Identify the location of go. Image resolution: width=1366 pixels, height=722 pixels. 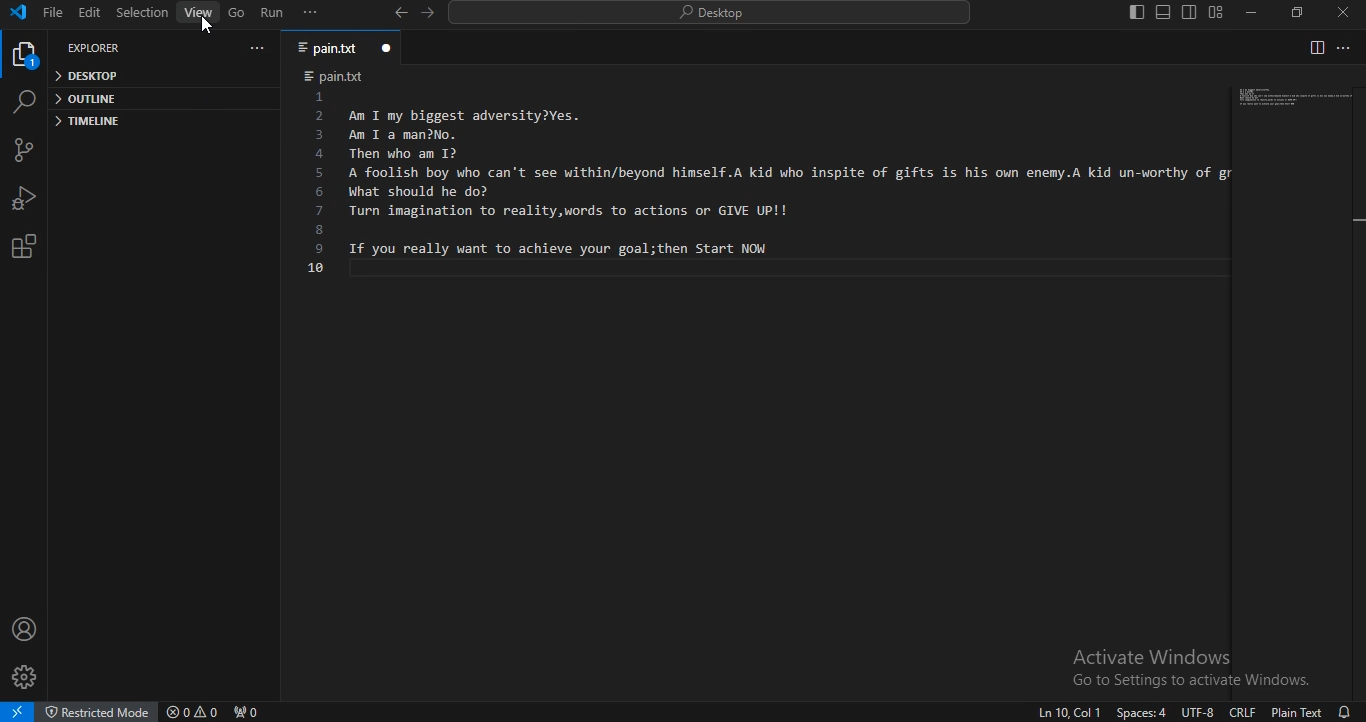
(236, 15).